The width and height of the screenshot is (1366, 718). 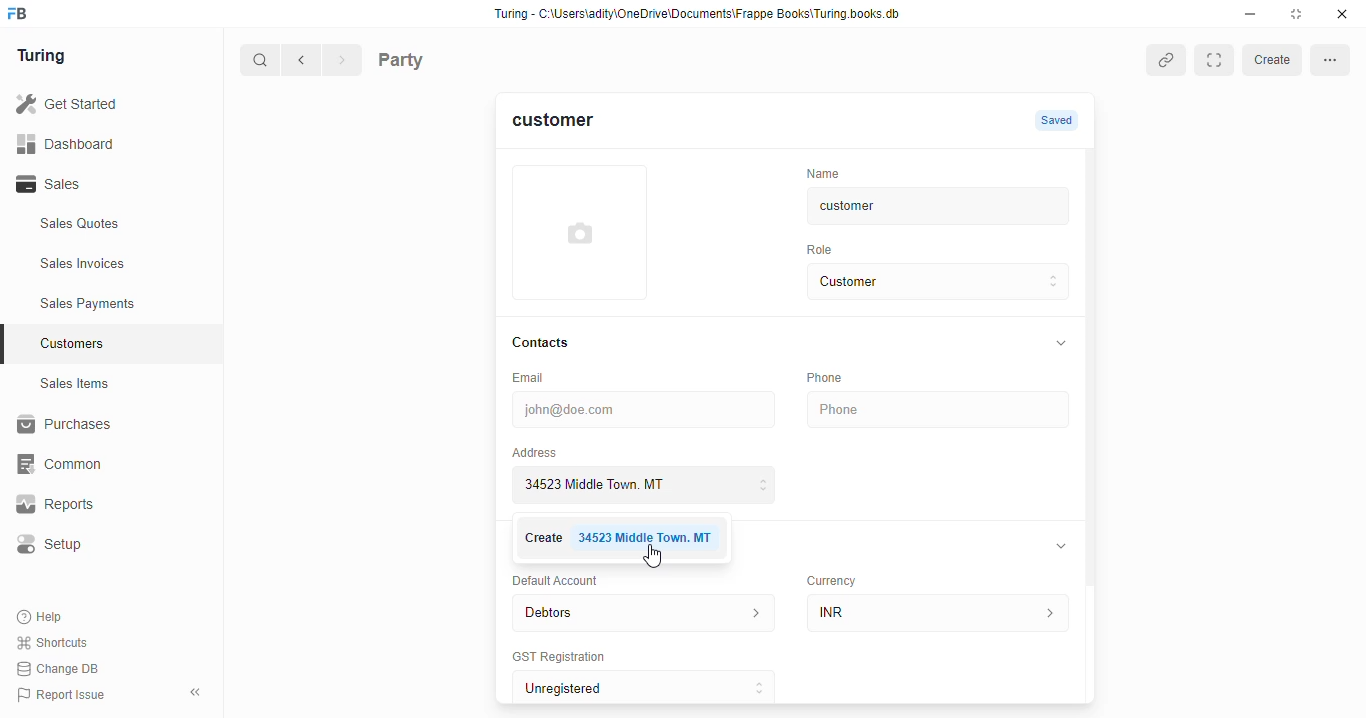 What do you see at coordinates (1061, 544) in the screenshot?
I see `collapse` at bounding box center [1061, 544].